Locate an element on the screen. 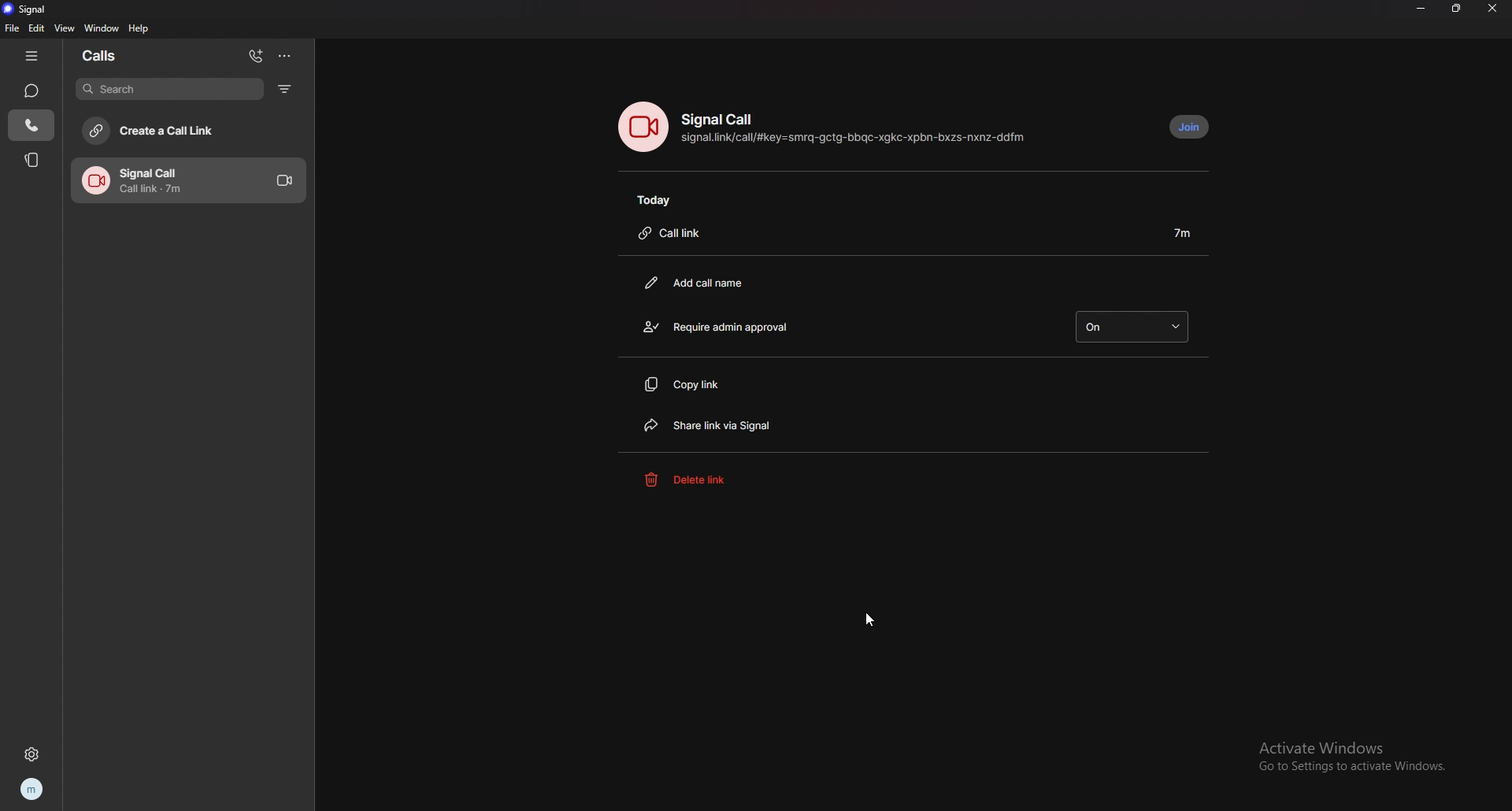 The image size is (1512, 811). close is located at coordinates (1492, 9).